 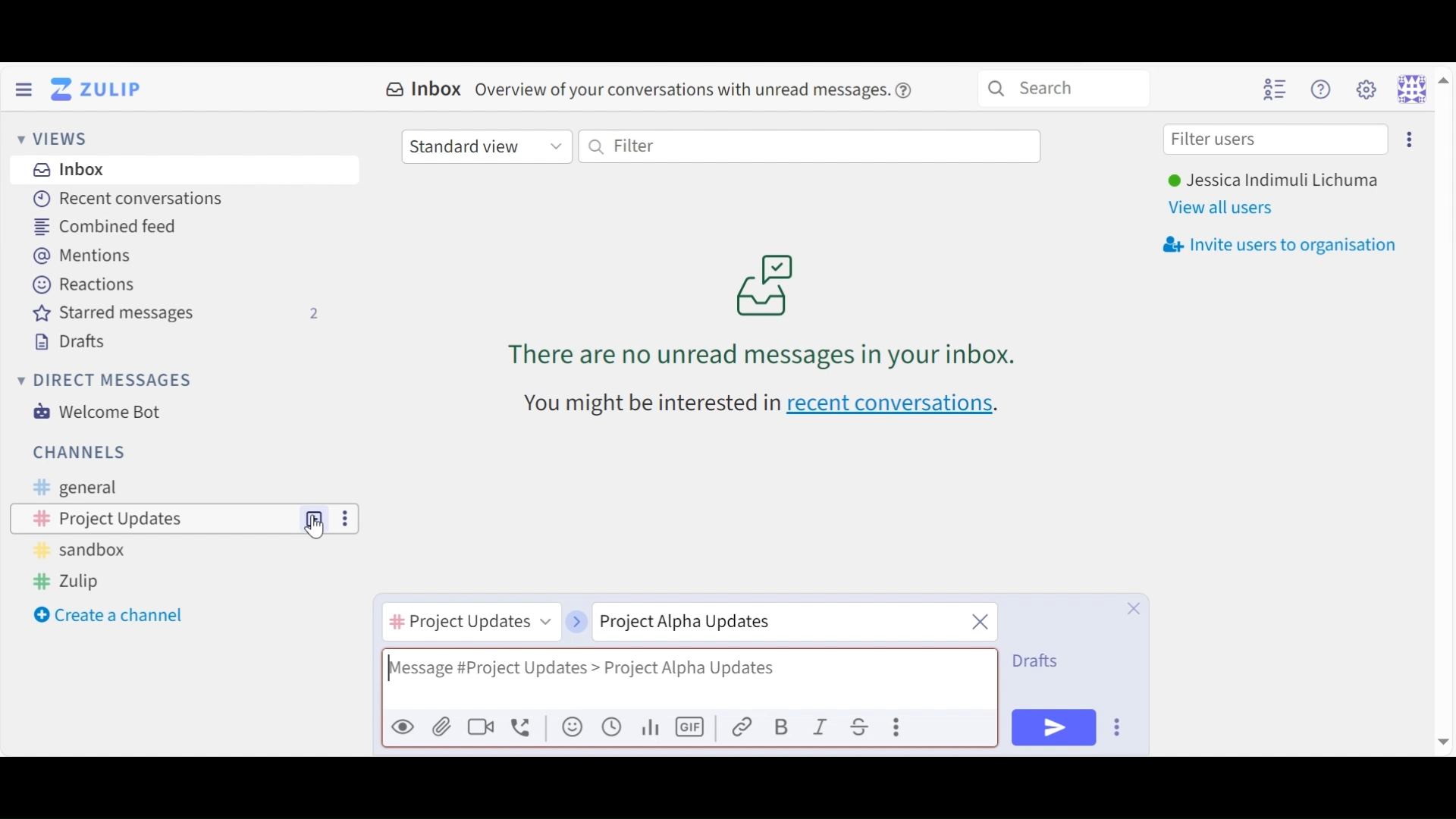 I want to click on General Channel, so click(x=72, y=488).